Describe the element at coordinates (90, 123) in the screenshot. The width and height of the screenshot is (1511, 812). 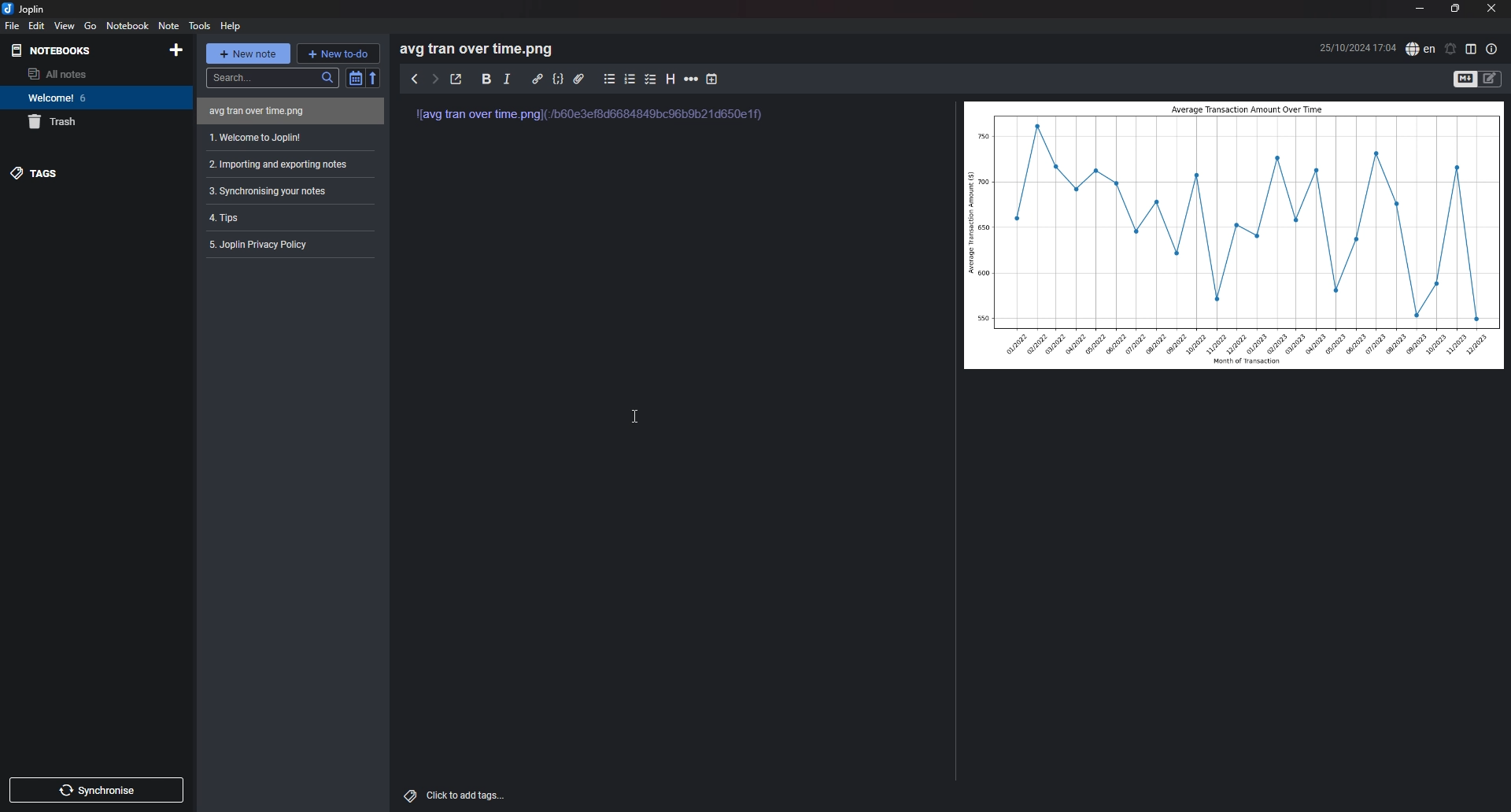
I see `trash` at that location.